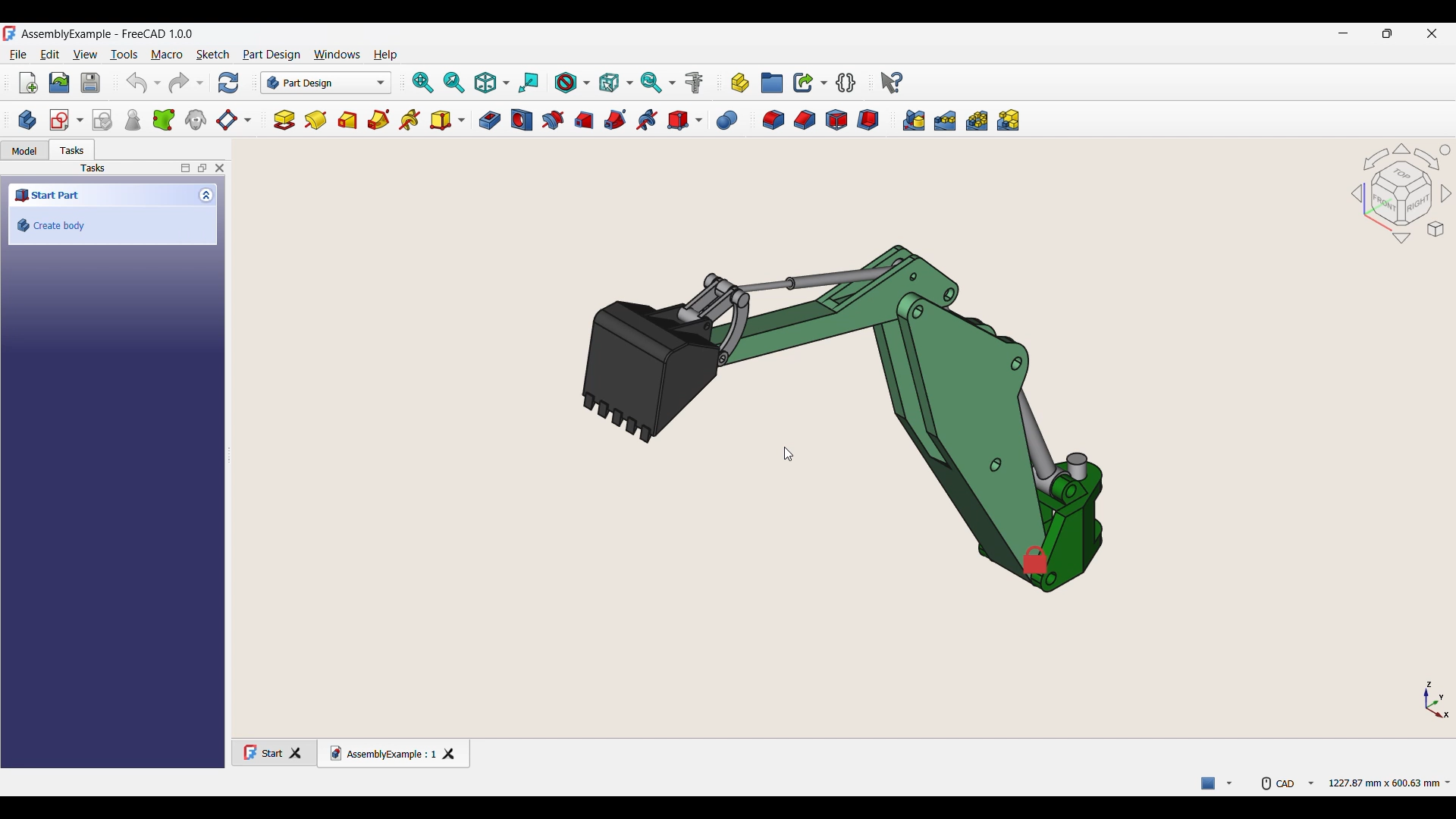 This screenshot has height=819, width=1456. What do you see at coordinates (1219, 782) in the screenshot?
I see `Type, Notifier, Message details` at bounding box center [1219, 782].